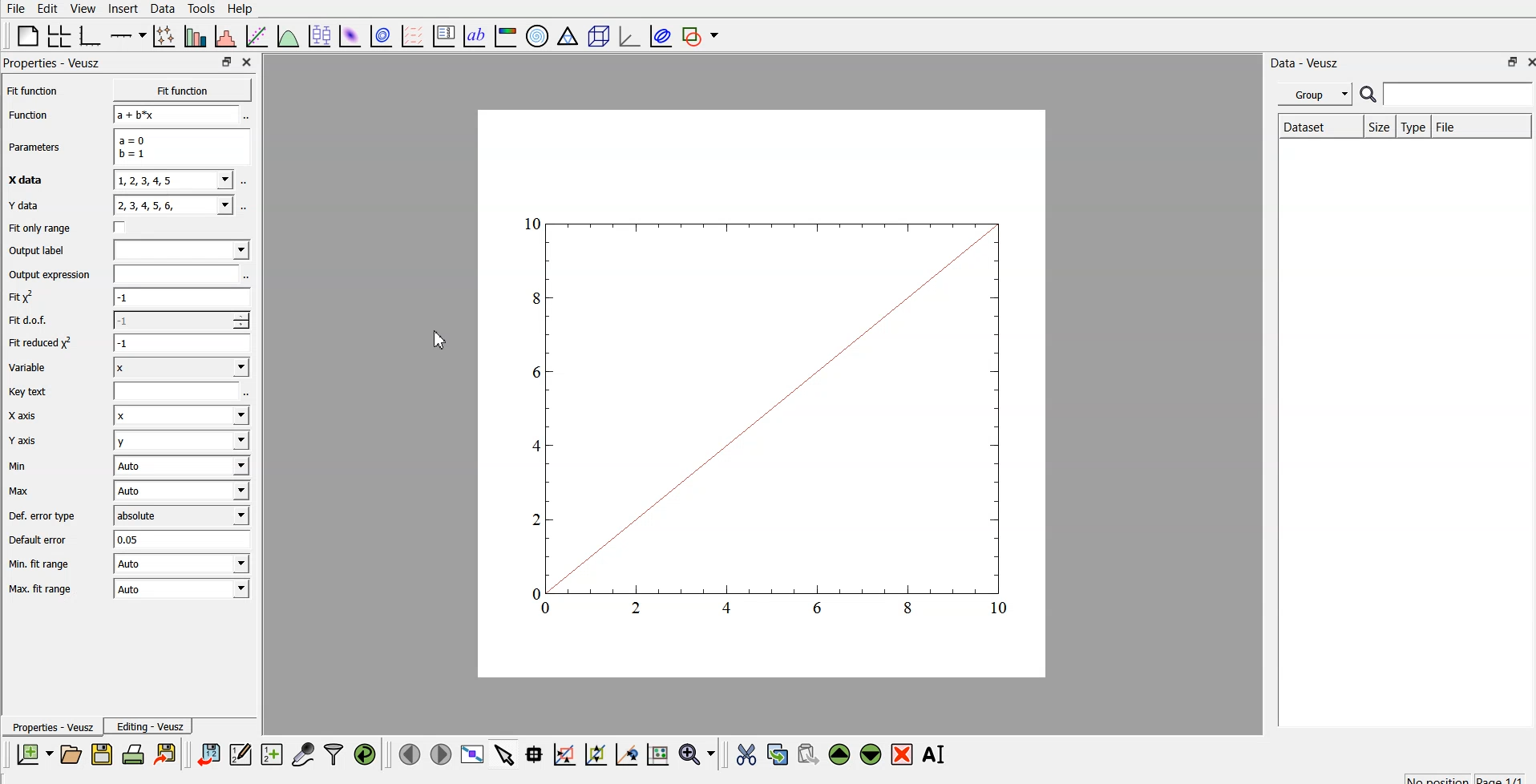 The height and width of the screenshot is (784, 1536). Describe the element at coordinates (44, 148) in the screenshot. I see `Parameters` at that location.